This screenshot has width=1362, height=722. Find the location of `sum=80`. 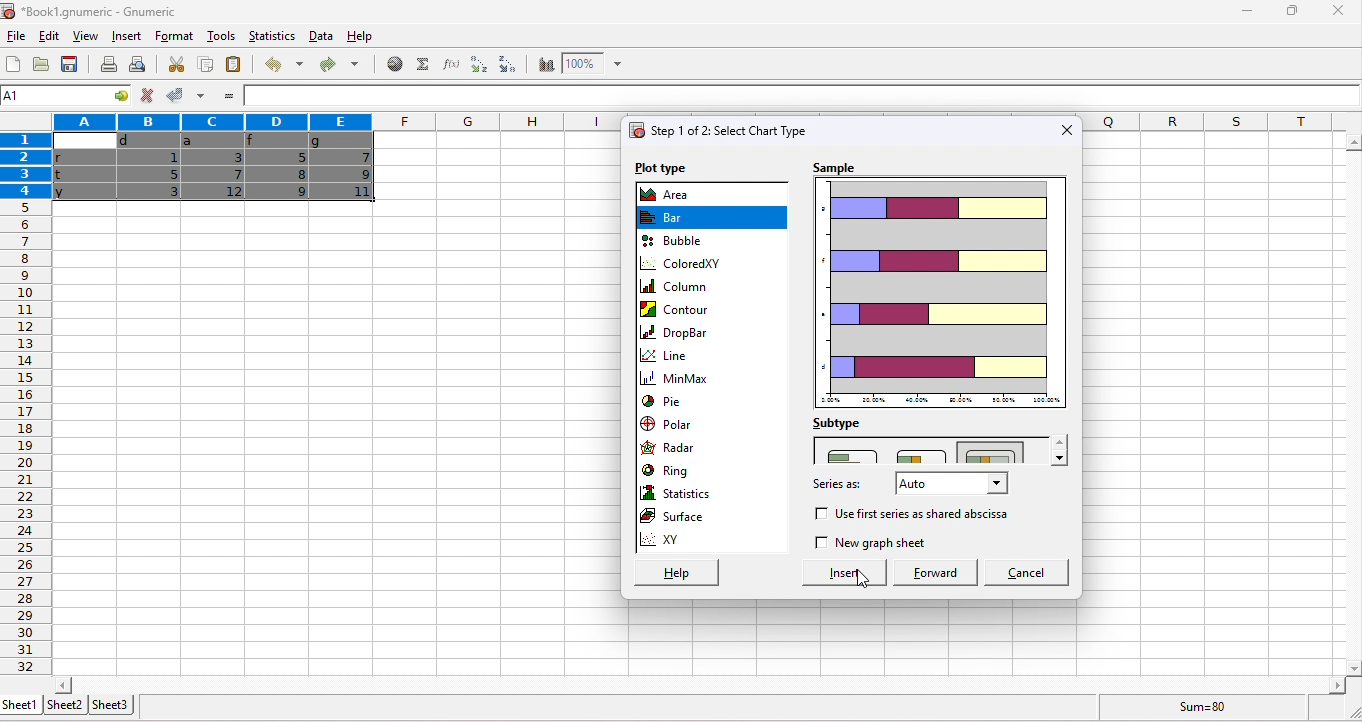

sum=80 is located at coordinates (1200, 709).